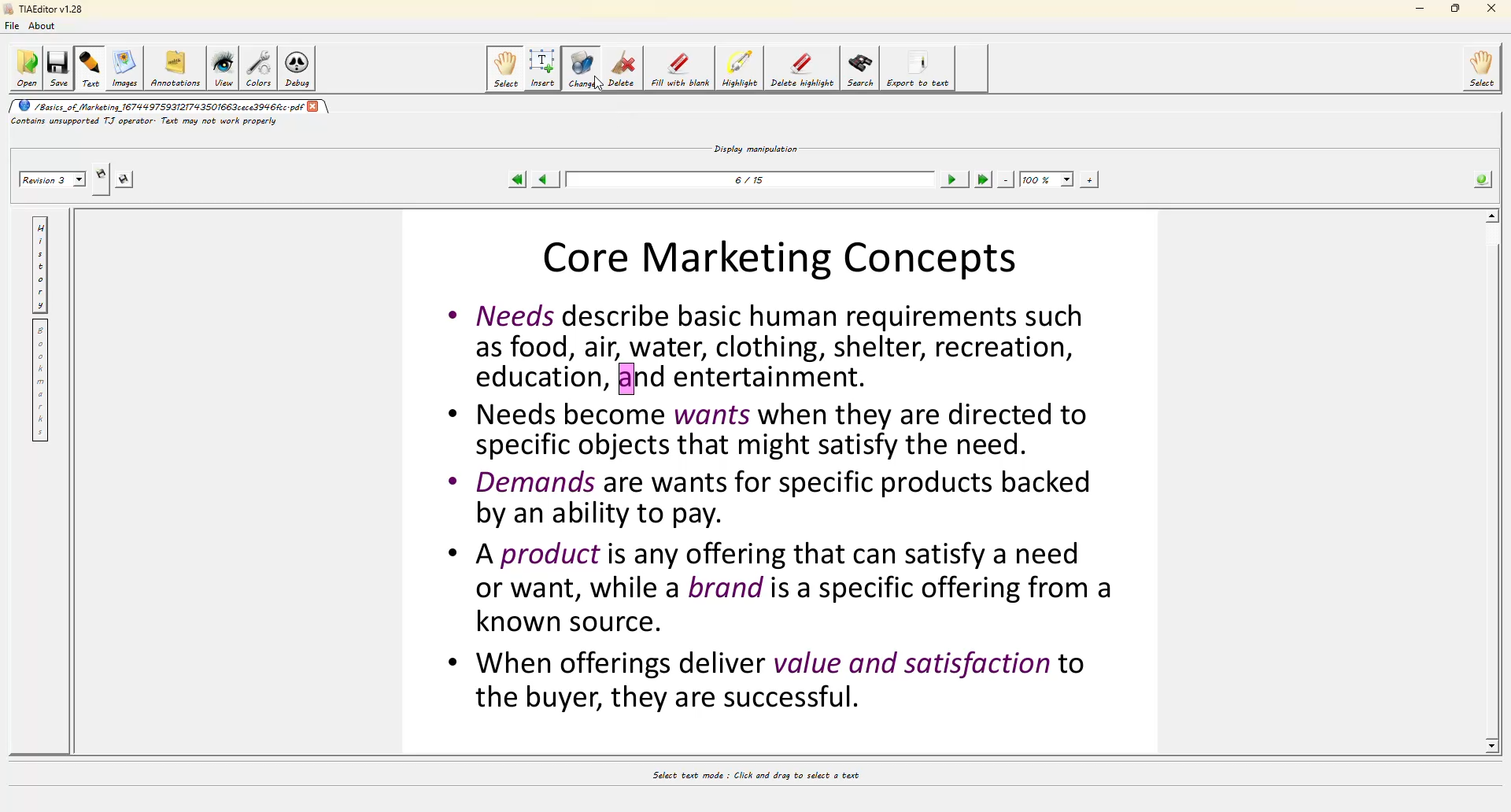 The image size is (1511, 812). Describe the element at coordinates (858, 69) in the screenshot. I see `search` at that location.